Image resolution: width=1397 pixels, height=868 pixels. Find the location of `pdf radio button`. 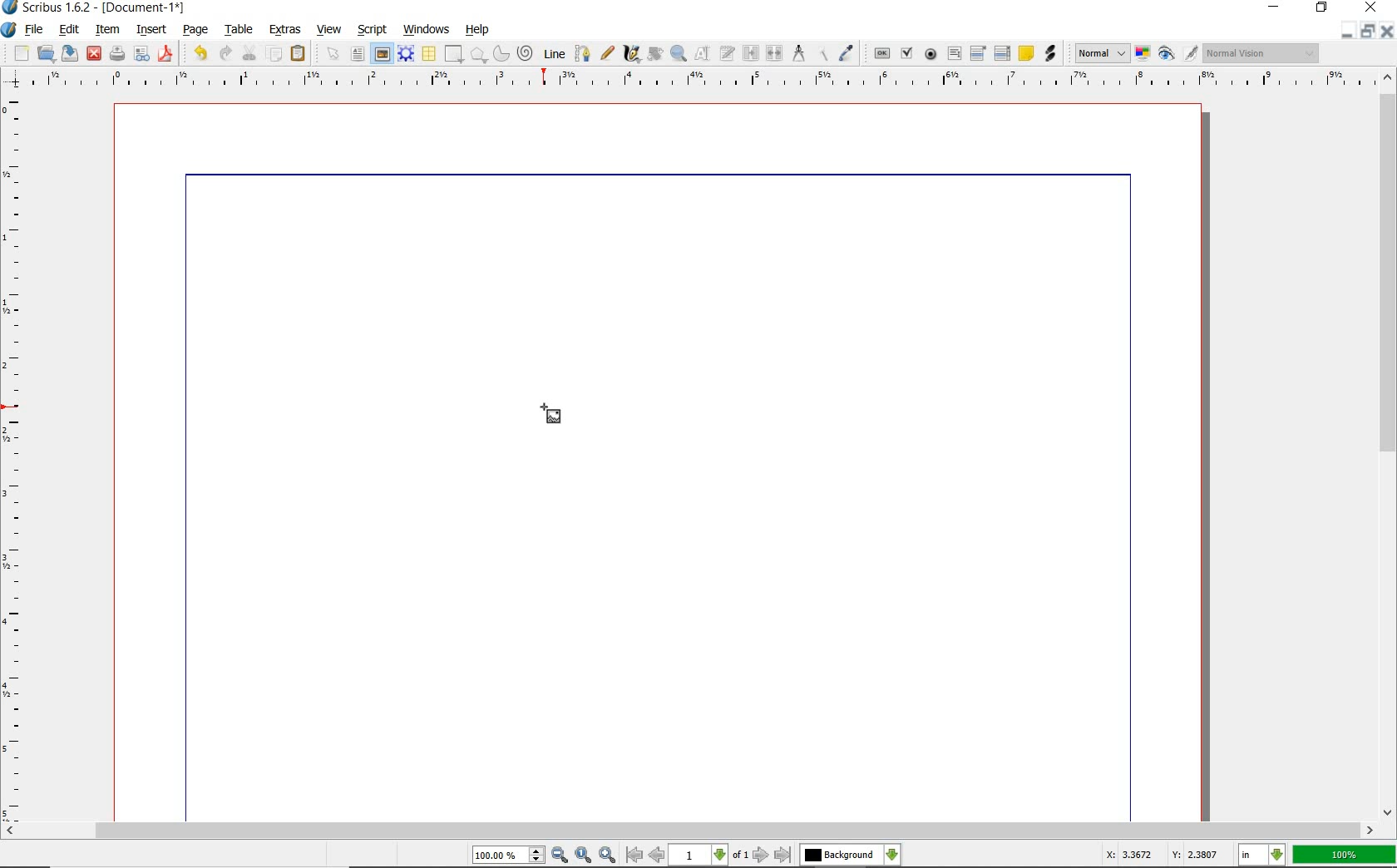

pdf radio button is located at coordinates (931, 55).